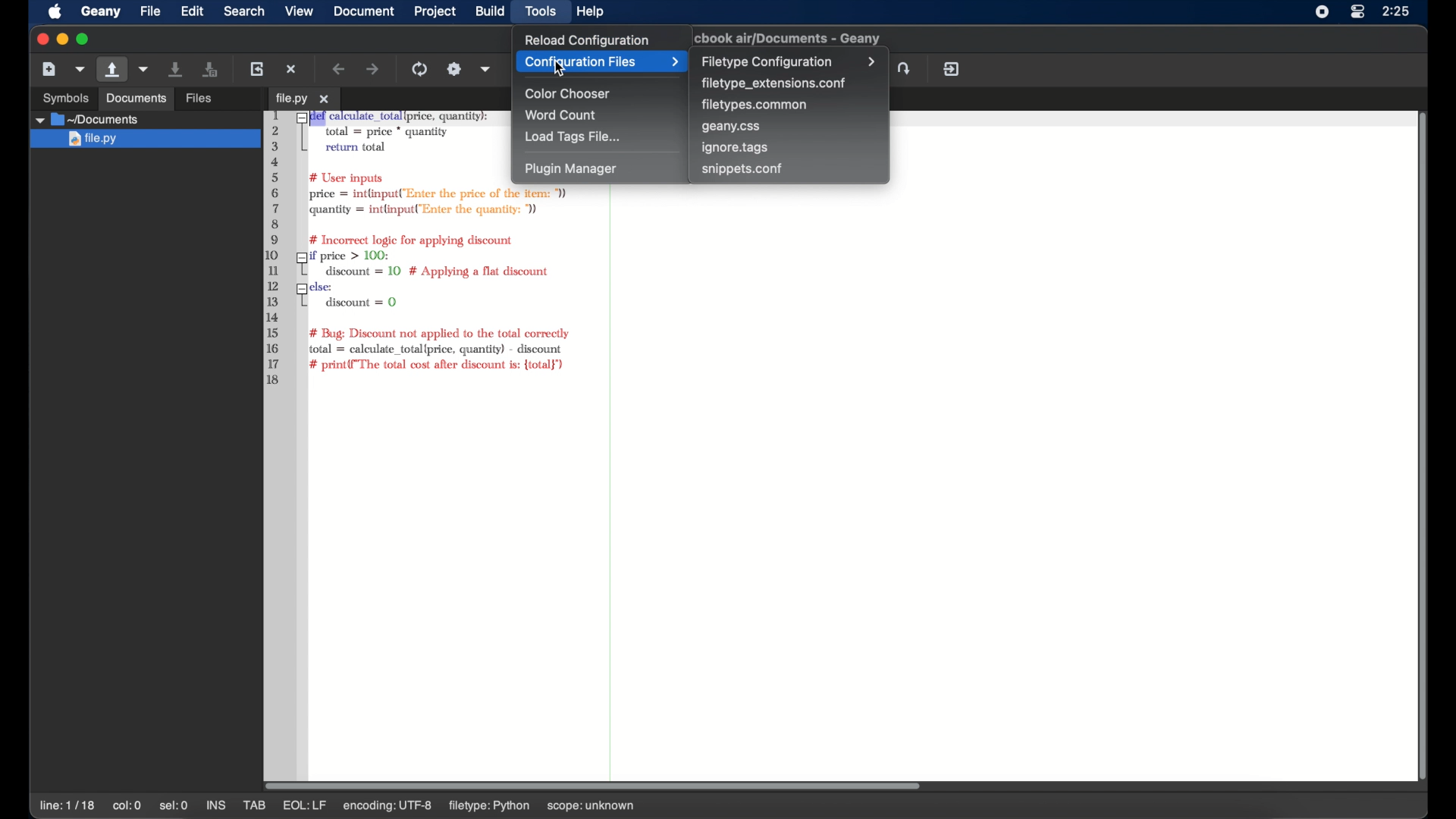 This screenshot has width=1456, height=819. What do you see at coordinates (113, 70) in the screenshot?
I see `open an existing file` at bounding box center [113, 70].